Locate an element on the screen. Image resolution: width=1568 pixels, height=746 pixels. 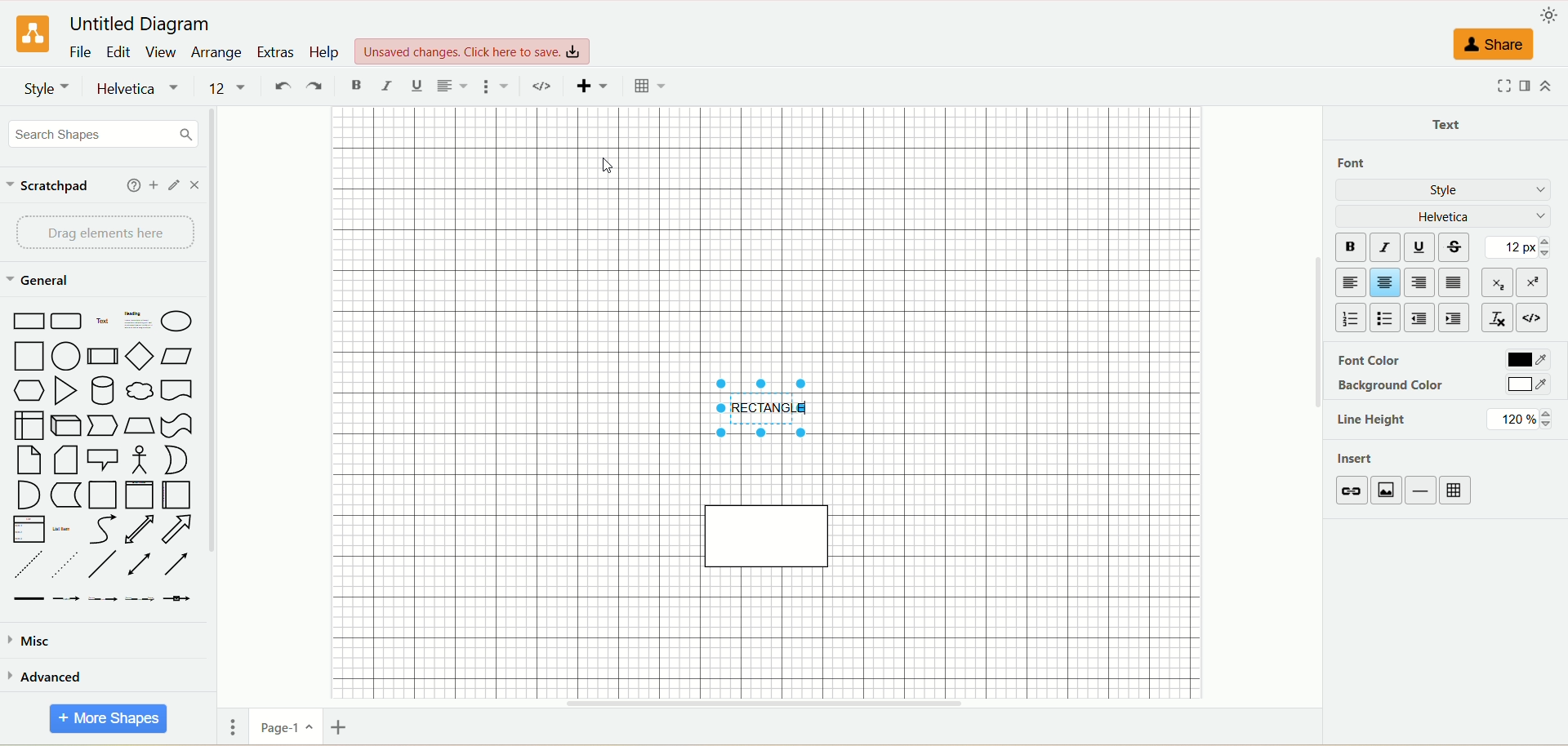
logo is located at coordinates (30, 33).